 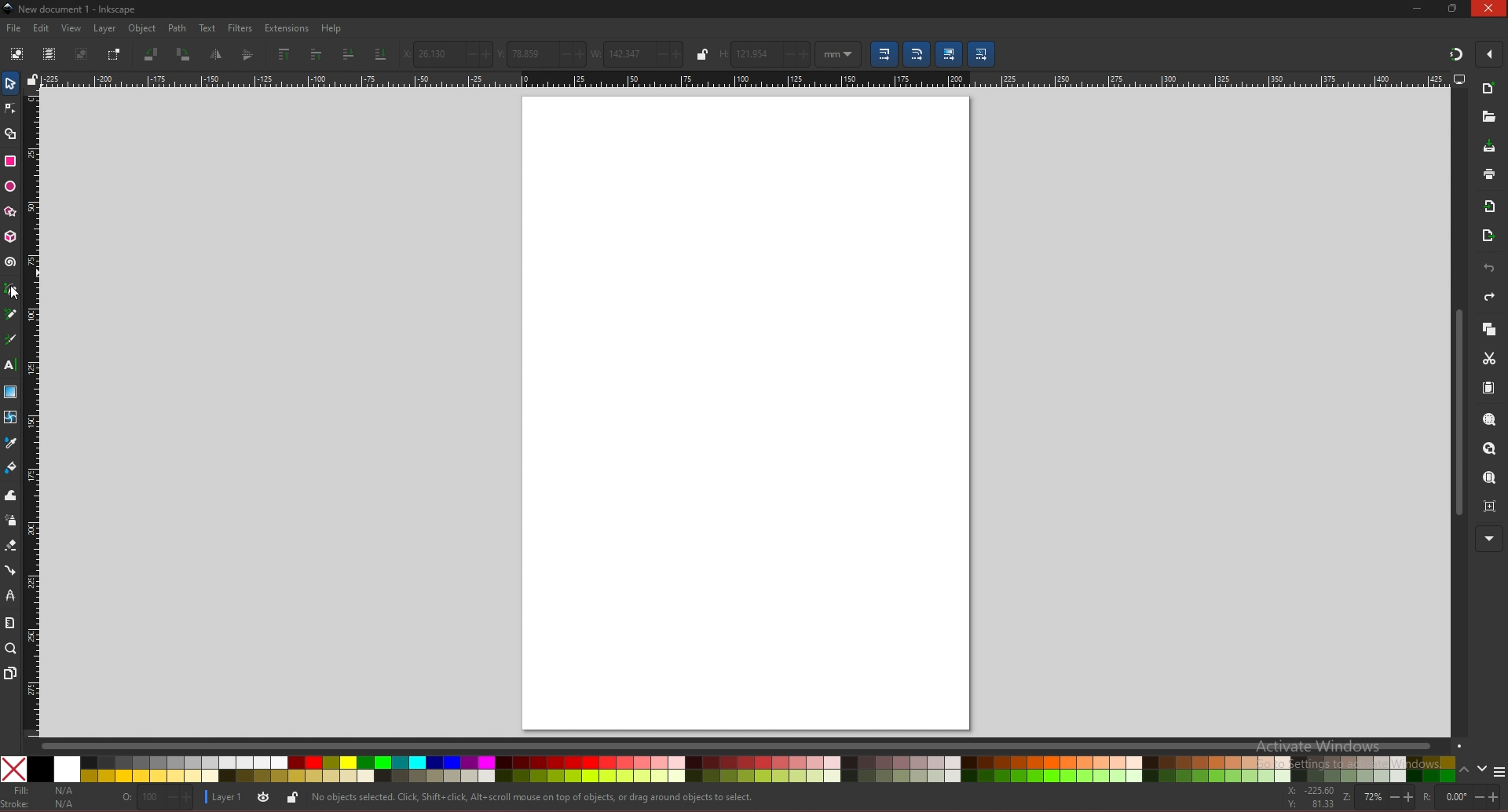 What do you see at coordinates (157, 797) in the screenshot?
I see `opacity` at bounding box center [157, 797].